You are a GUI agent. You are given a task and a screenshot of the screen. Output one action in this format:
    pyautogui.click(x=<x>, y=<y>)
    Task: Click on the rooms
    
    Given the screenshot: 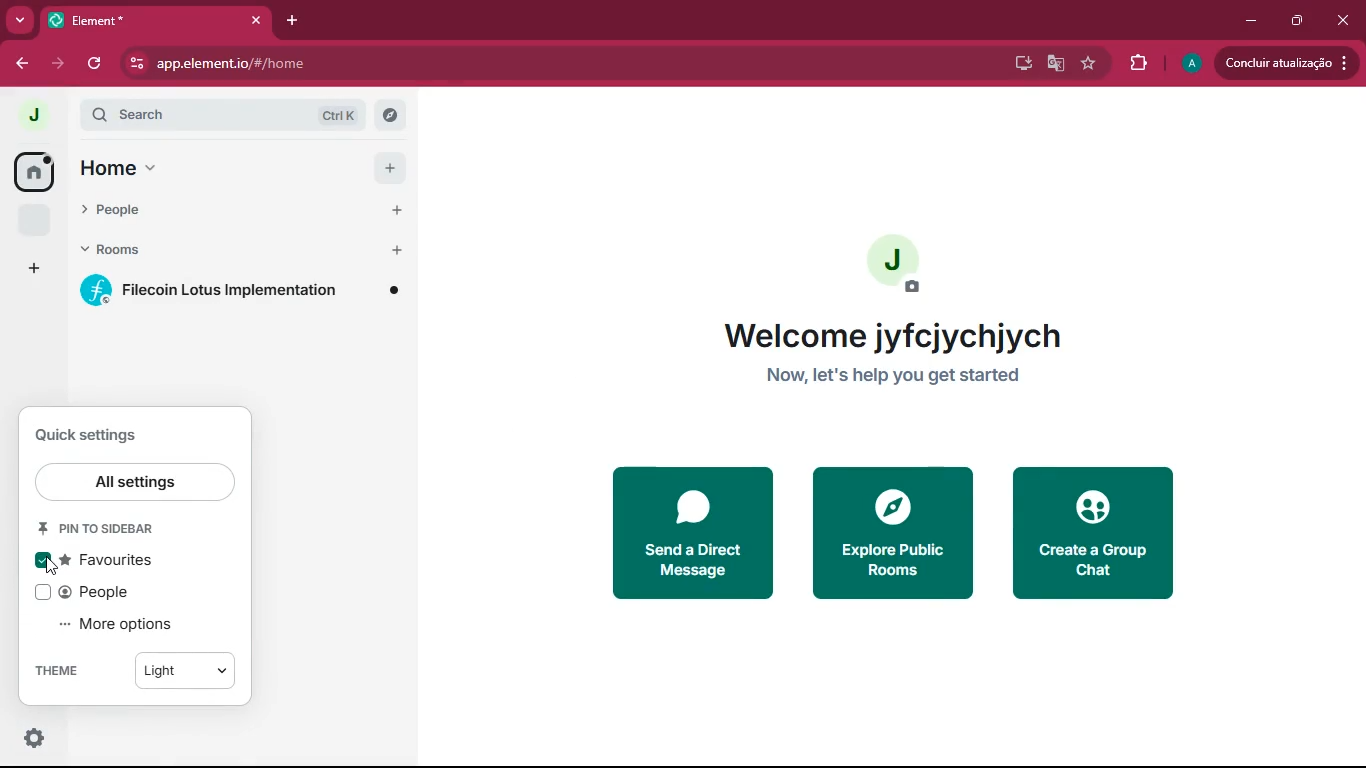 What is the action you would take?
    pyautogui.click(x=210, y=252)
    